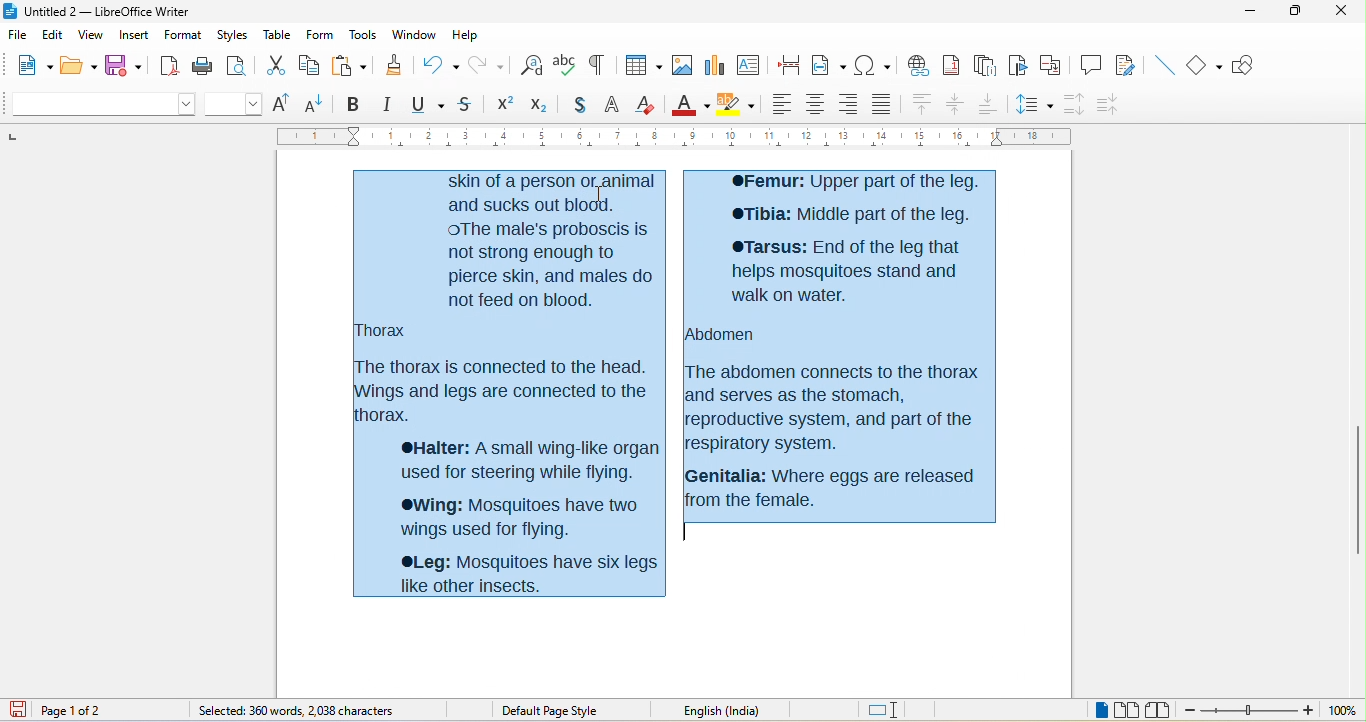 The width and height of the screenshot is (1366, 722). Describe the element at coordinates (781, 104) in the screenshot. I see `align left` at that location.